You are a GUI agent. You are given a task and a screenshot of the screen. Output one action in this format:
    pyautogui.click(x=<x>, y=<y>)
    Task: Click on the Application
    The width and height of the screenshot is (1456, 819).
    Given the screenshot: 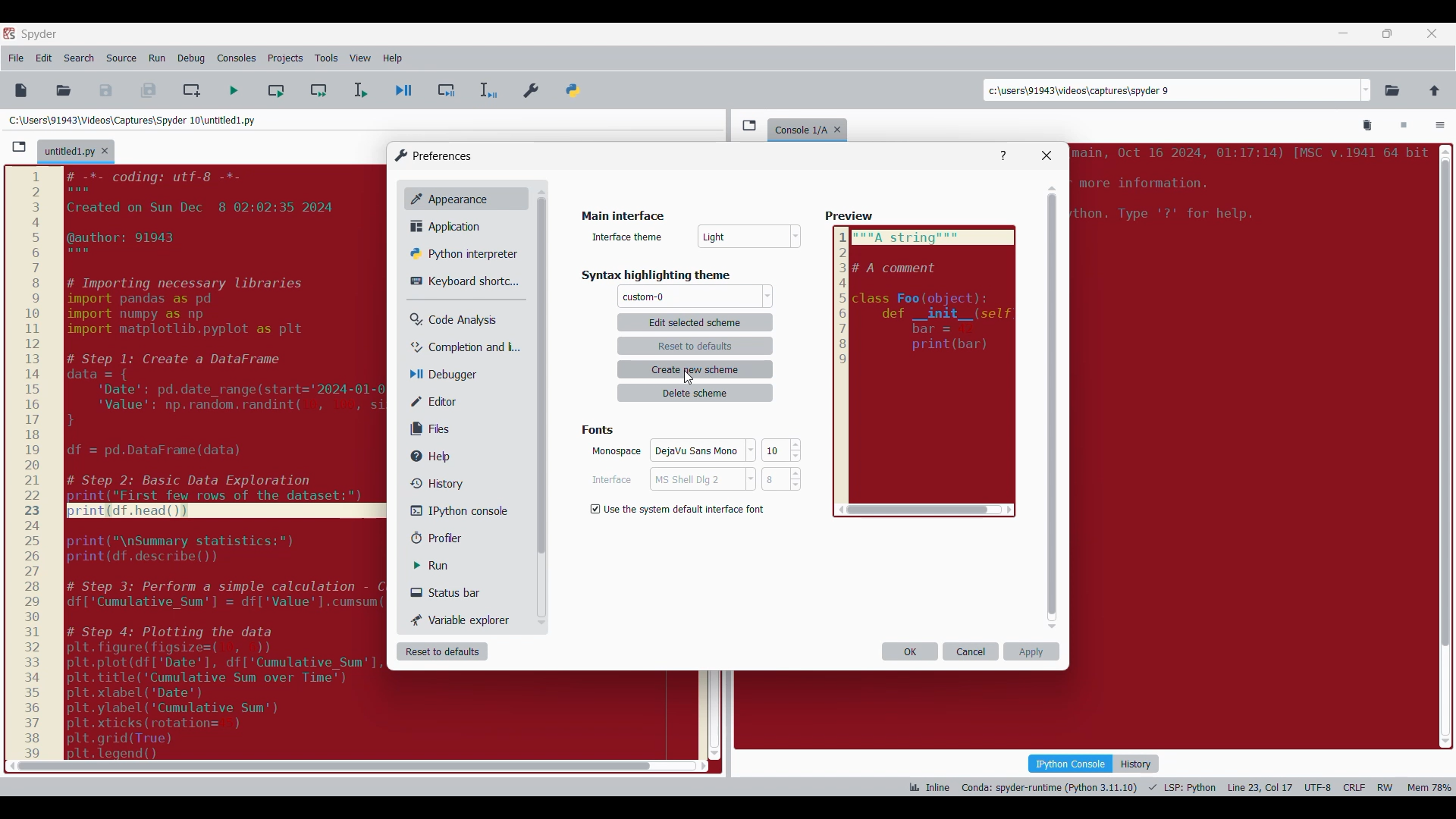 What is the action you would take?
    pyautogui.click(x=468, y=226)
    